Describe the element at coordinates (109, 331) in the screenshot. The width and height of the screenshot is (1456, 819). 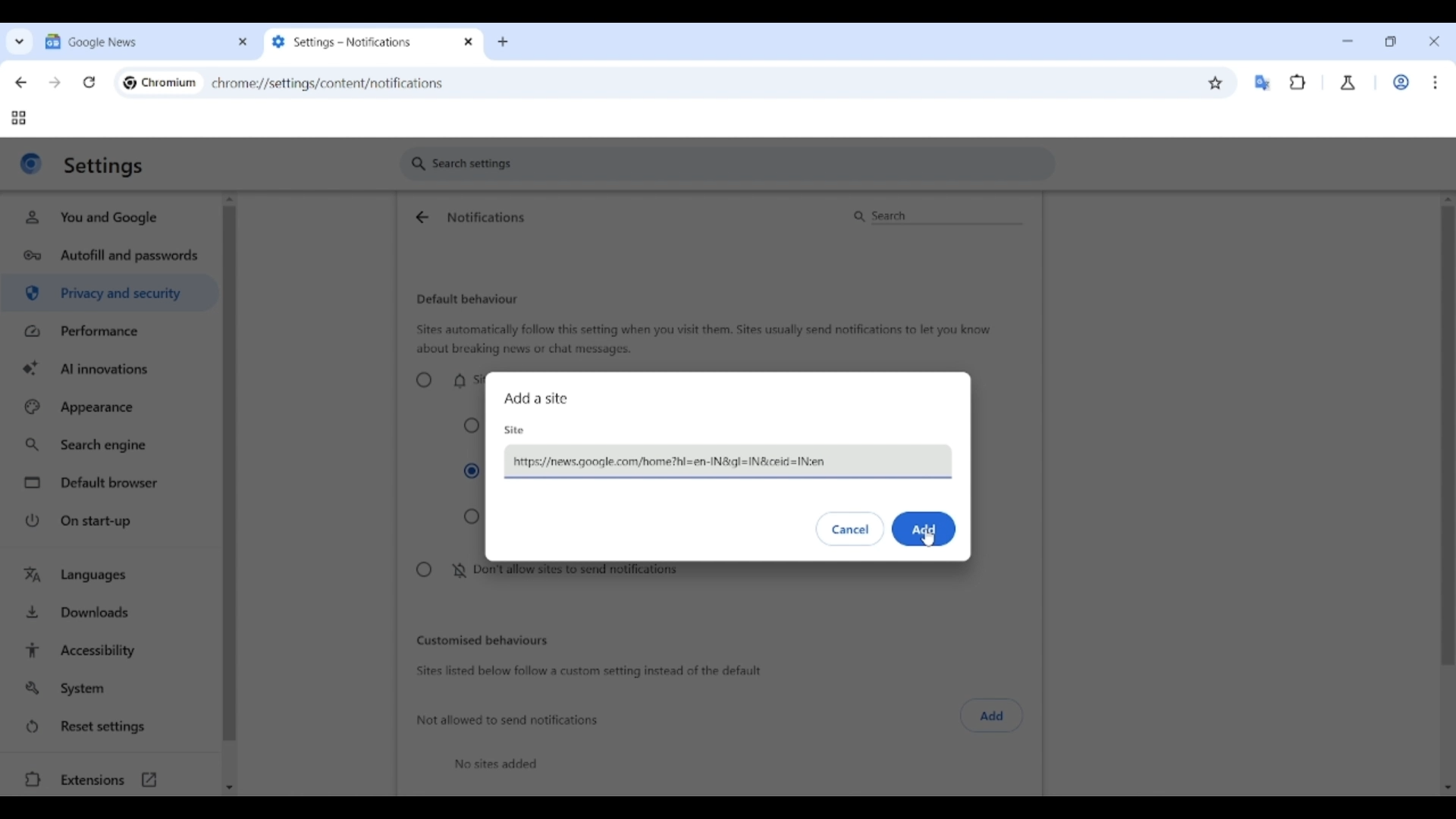
I see `Performance ` at that location.